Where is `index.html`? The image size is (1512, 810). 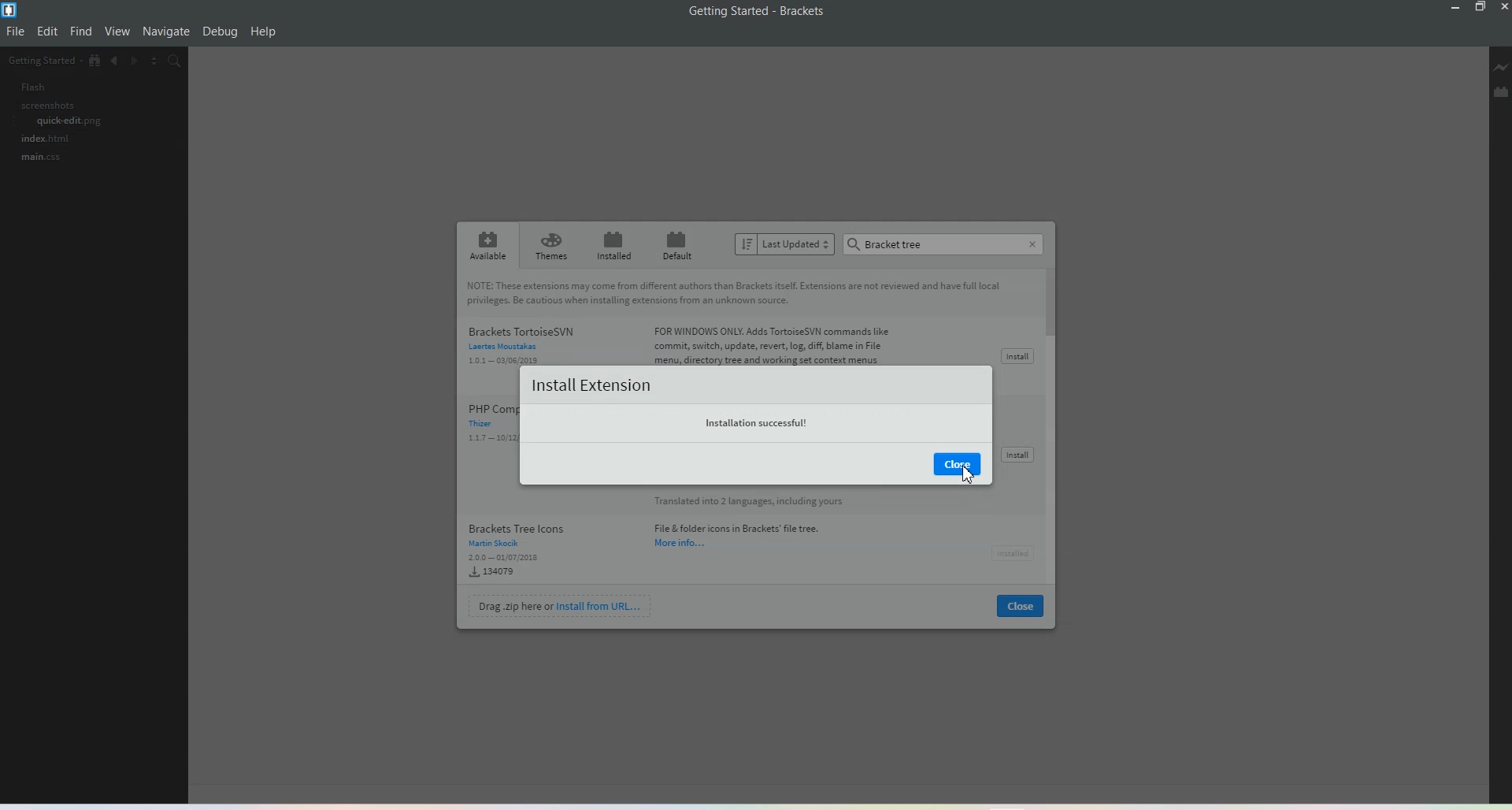
index.html is located at coordinates (42, 140).